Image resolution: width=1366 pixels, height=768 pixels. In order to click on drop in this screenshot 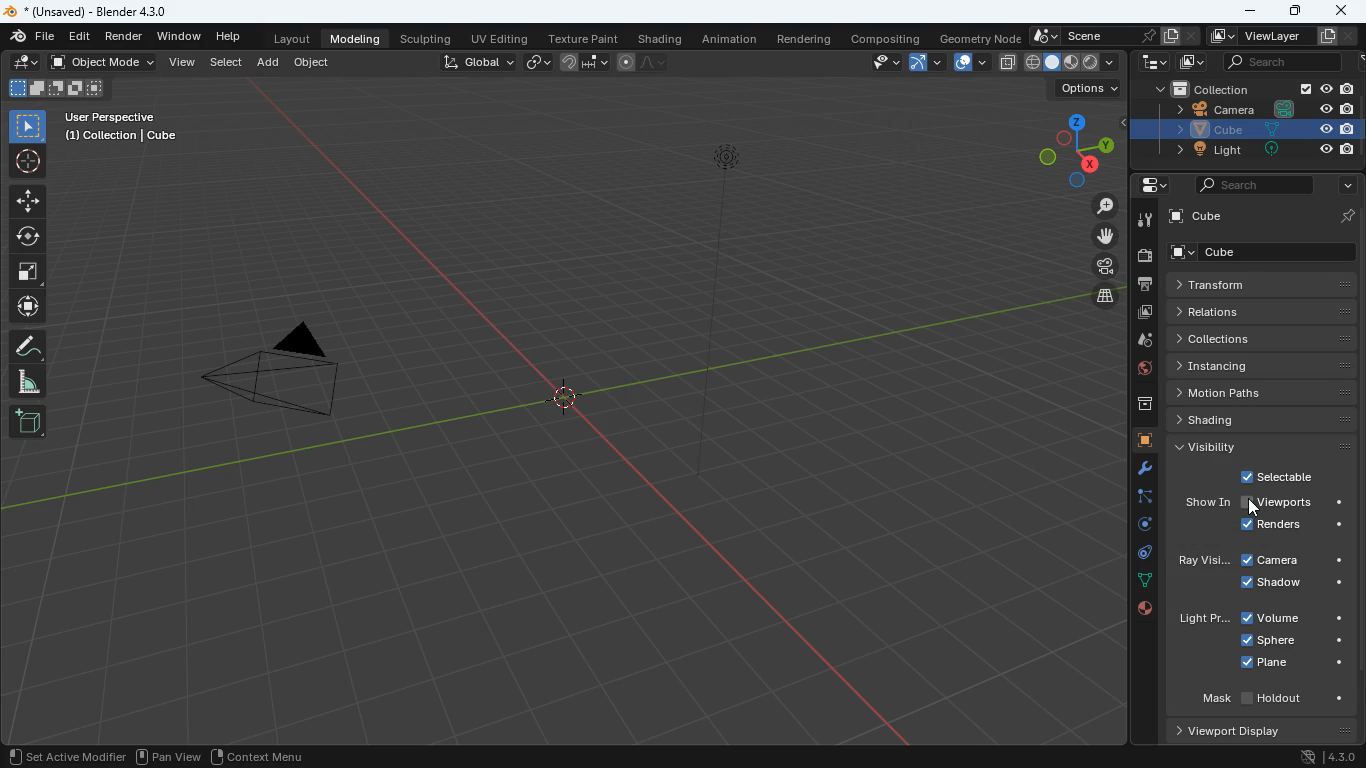, I will do `click(1138, 343)`.